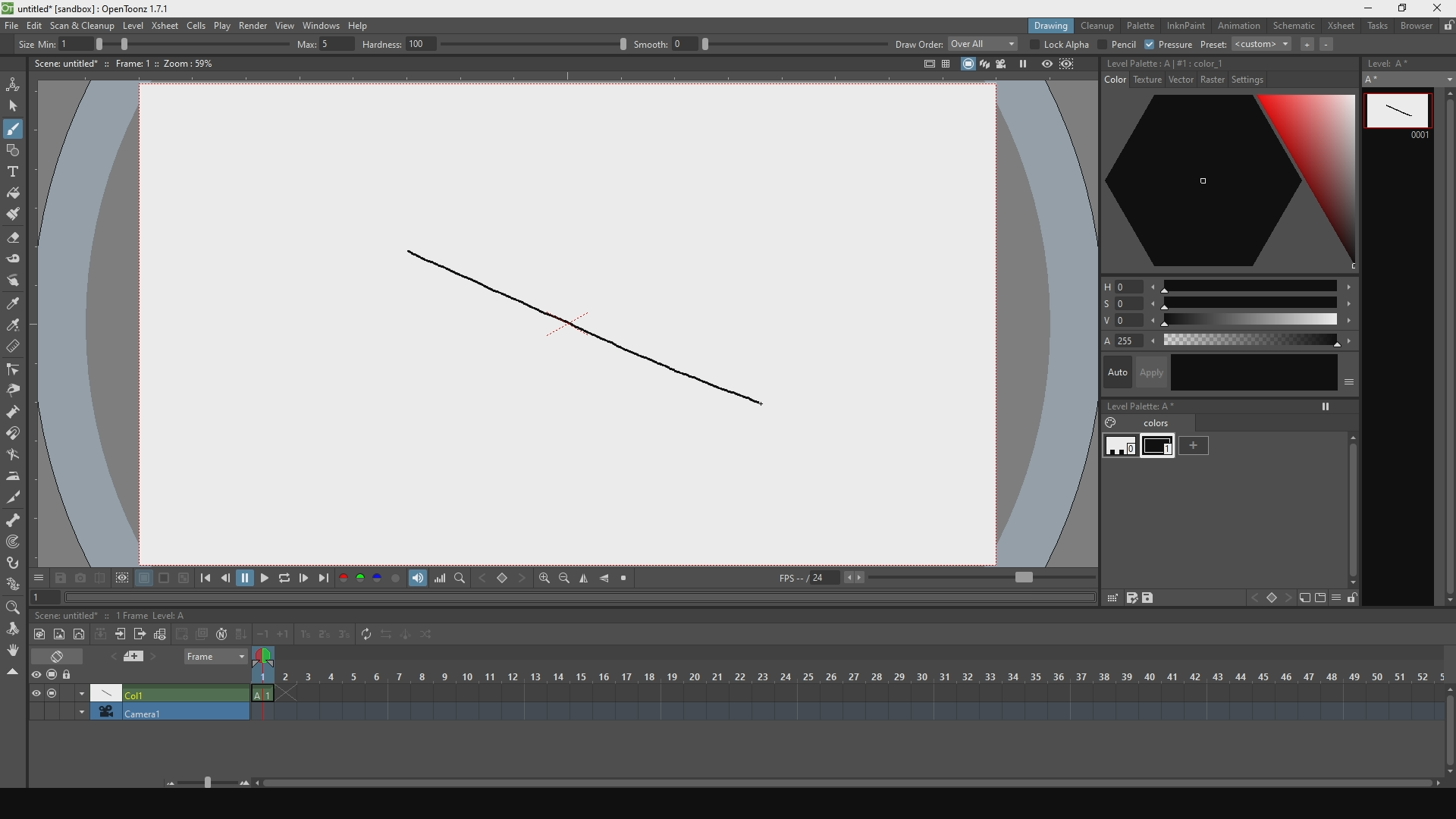  Describe the element at coordinates (758, 43) in the screenshot. I see `smooth` at that location.